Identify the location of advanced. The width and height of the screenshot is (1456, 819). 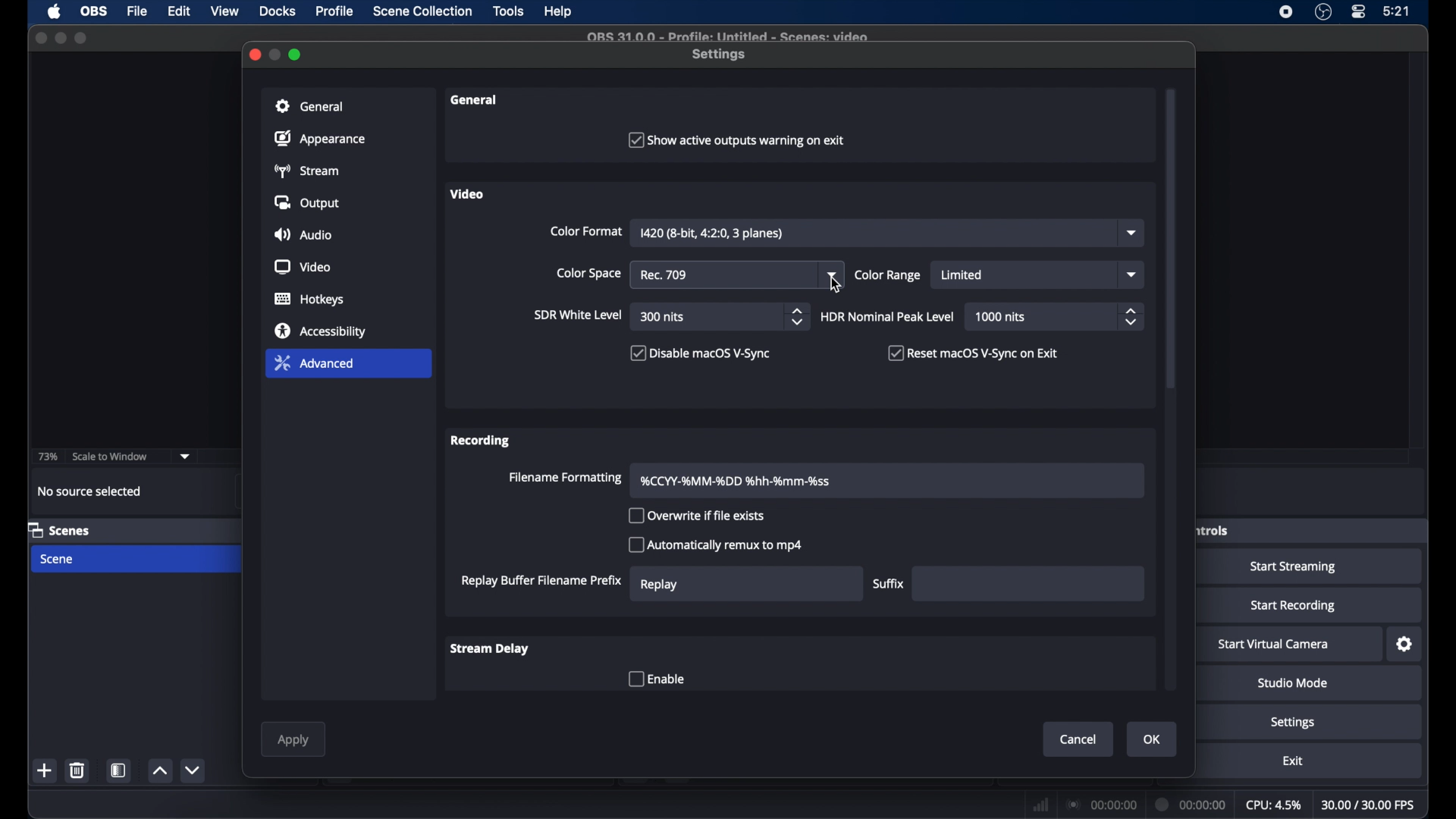
(315, 362).